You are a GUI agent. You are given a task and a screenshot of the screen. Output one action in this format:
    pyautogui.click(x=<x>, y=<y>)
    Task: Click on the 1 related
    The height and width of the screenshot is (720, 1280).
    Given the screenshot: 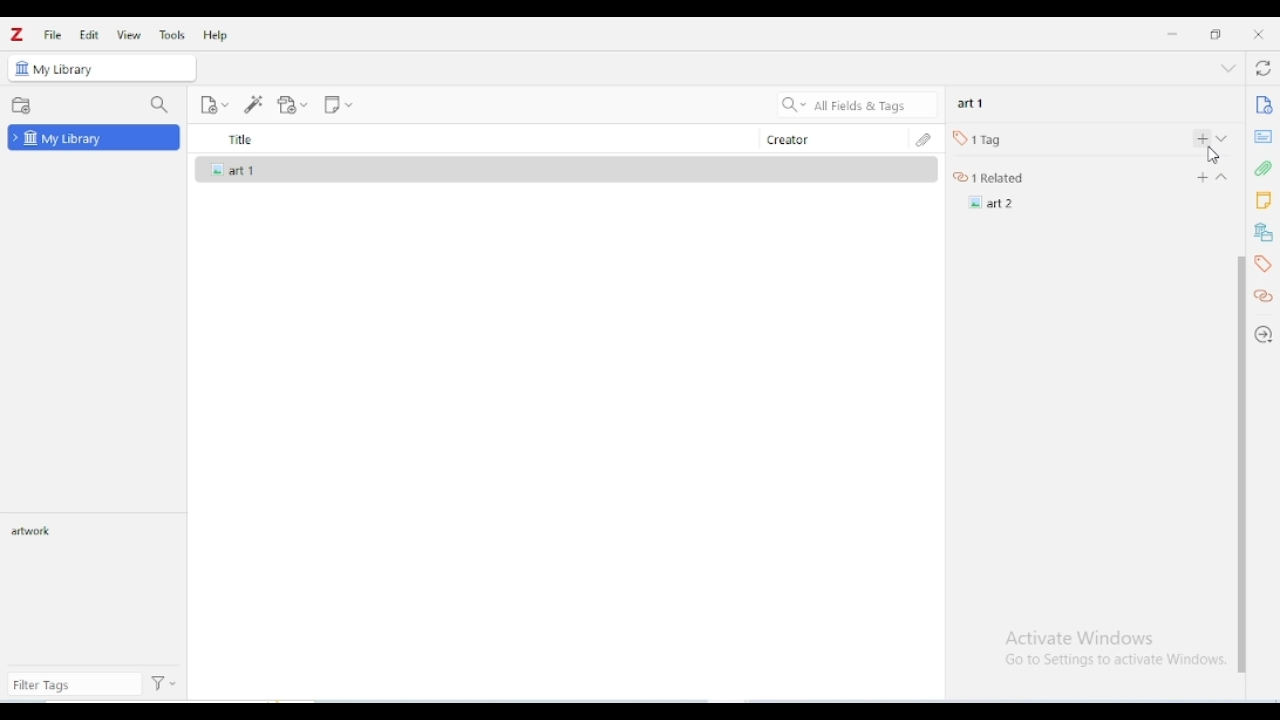 What is the action you would take?
    pyautogui.click(x=989, y=177)
    